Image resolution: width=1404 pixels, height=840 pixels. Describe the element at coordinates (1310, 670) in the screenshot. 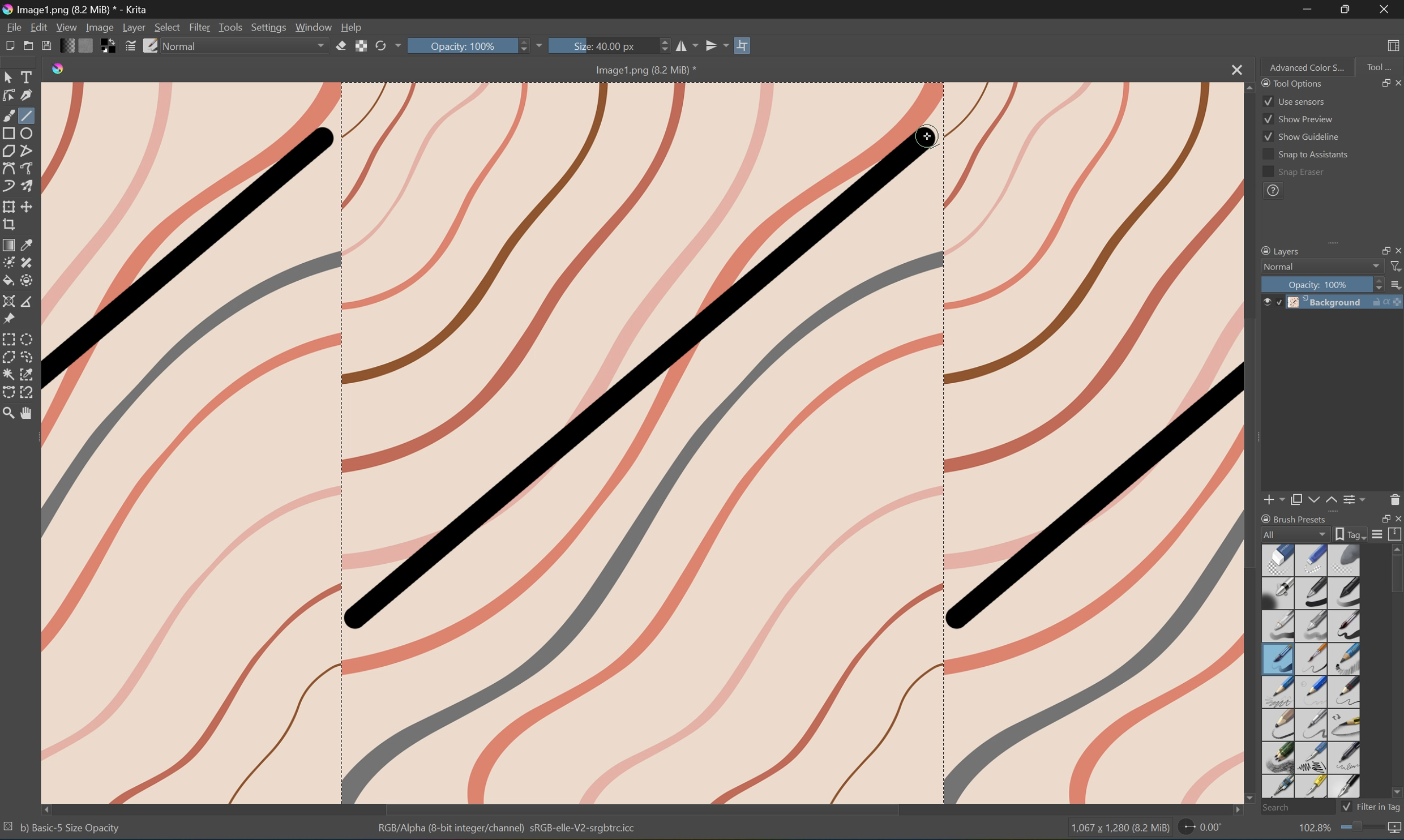

I see `Type of brushes` at that location.